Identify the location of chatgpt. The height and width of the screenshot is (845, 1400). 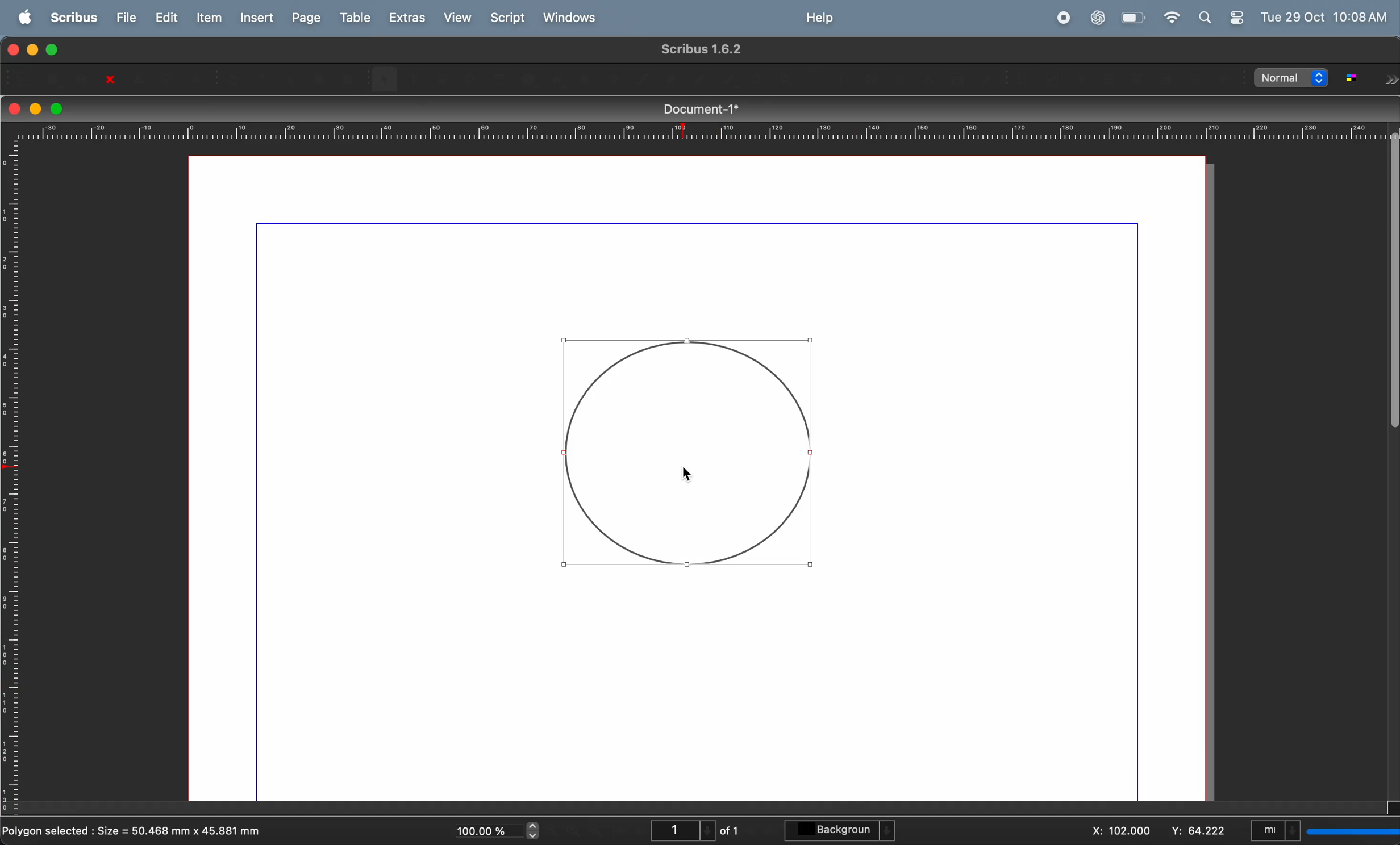
(1098, 18).